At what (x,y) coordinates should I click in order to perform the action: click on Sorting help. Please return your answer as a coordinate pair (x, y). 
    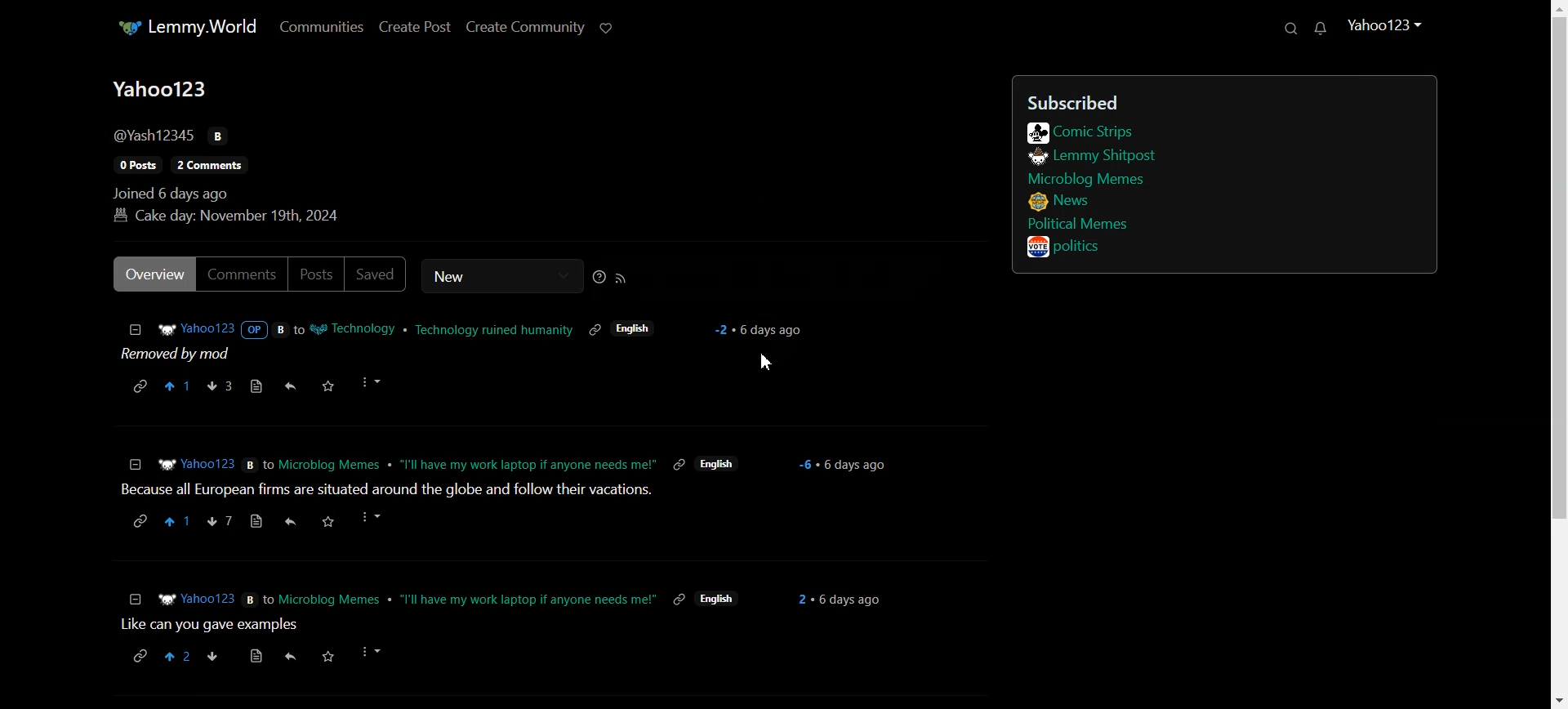
    Looking at the image, I should click on (599, 277).